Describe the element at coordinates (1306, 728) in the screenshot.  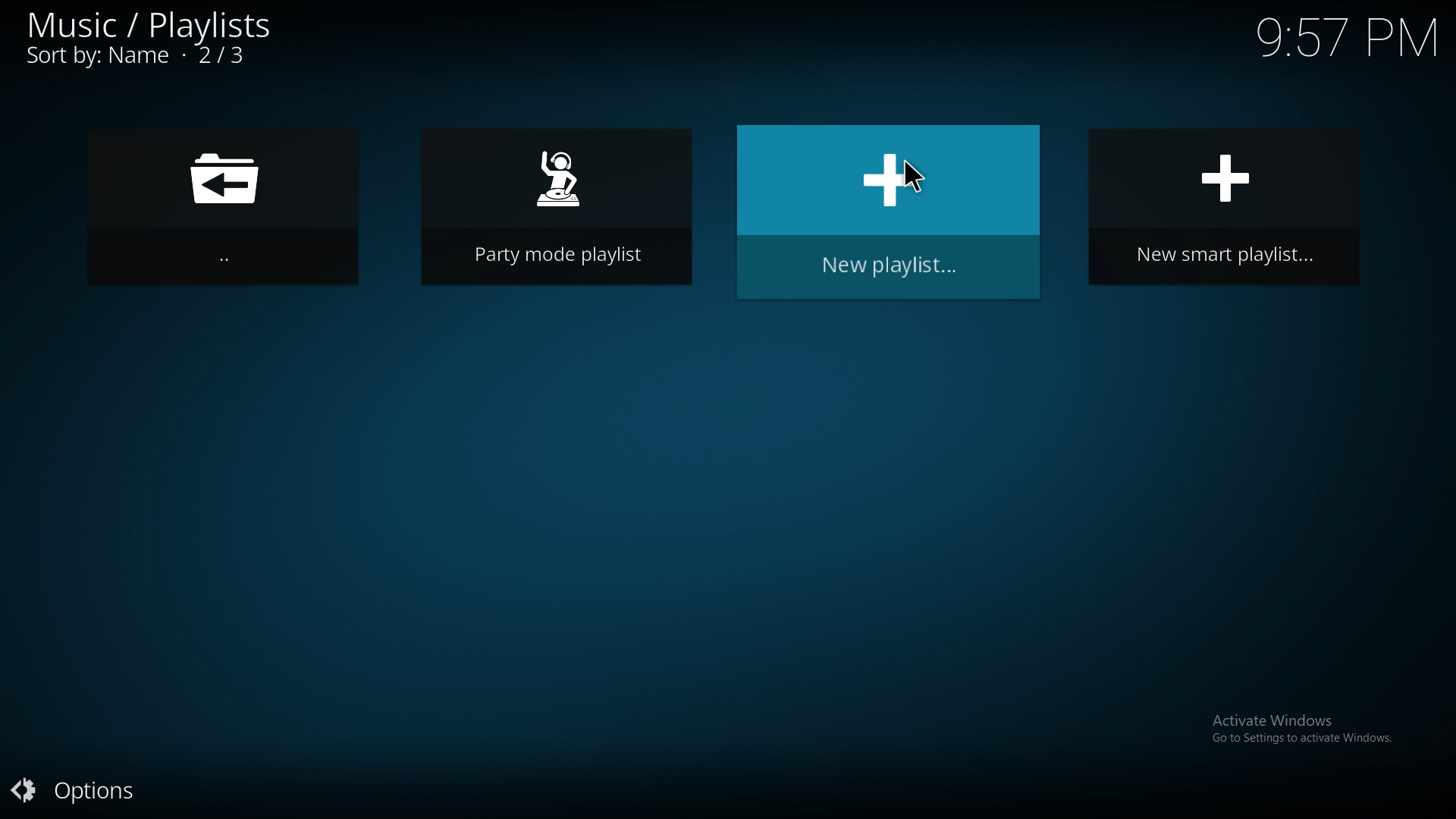
I see `Activate Windows
Go to Settings to activate Windows.` at that location.